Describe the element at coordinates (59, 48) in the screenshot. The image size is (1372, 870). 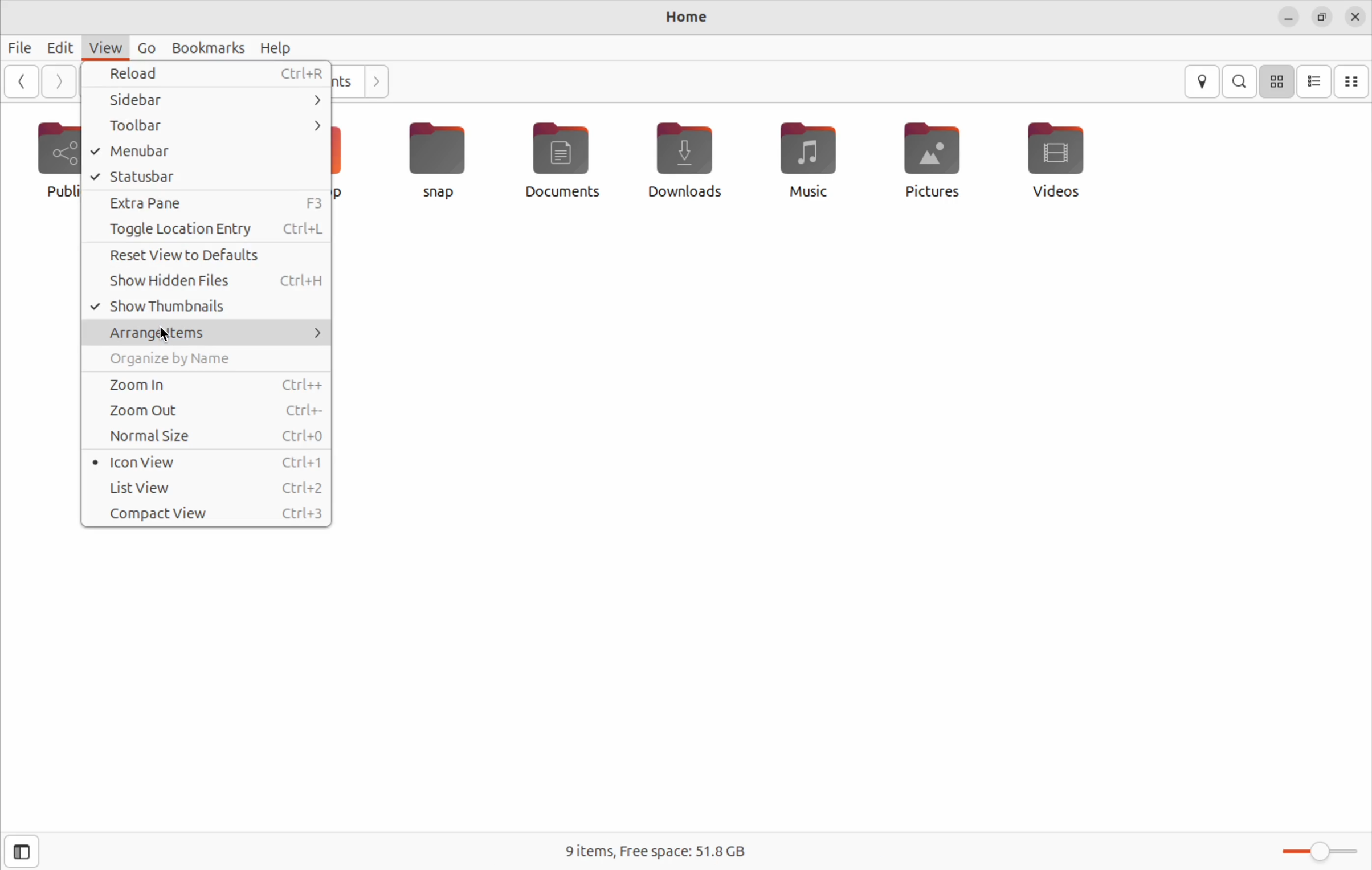
I see `Edit` at that location.